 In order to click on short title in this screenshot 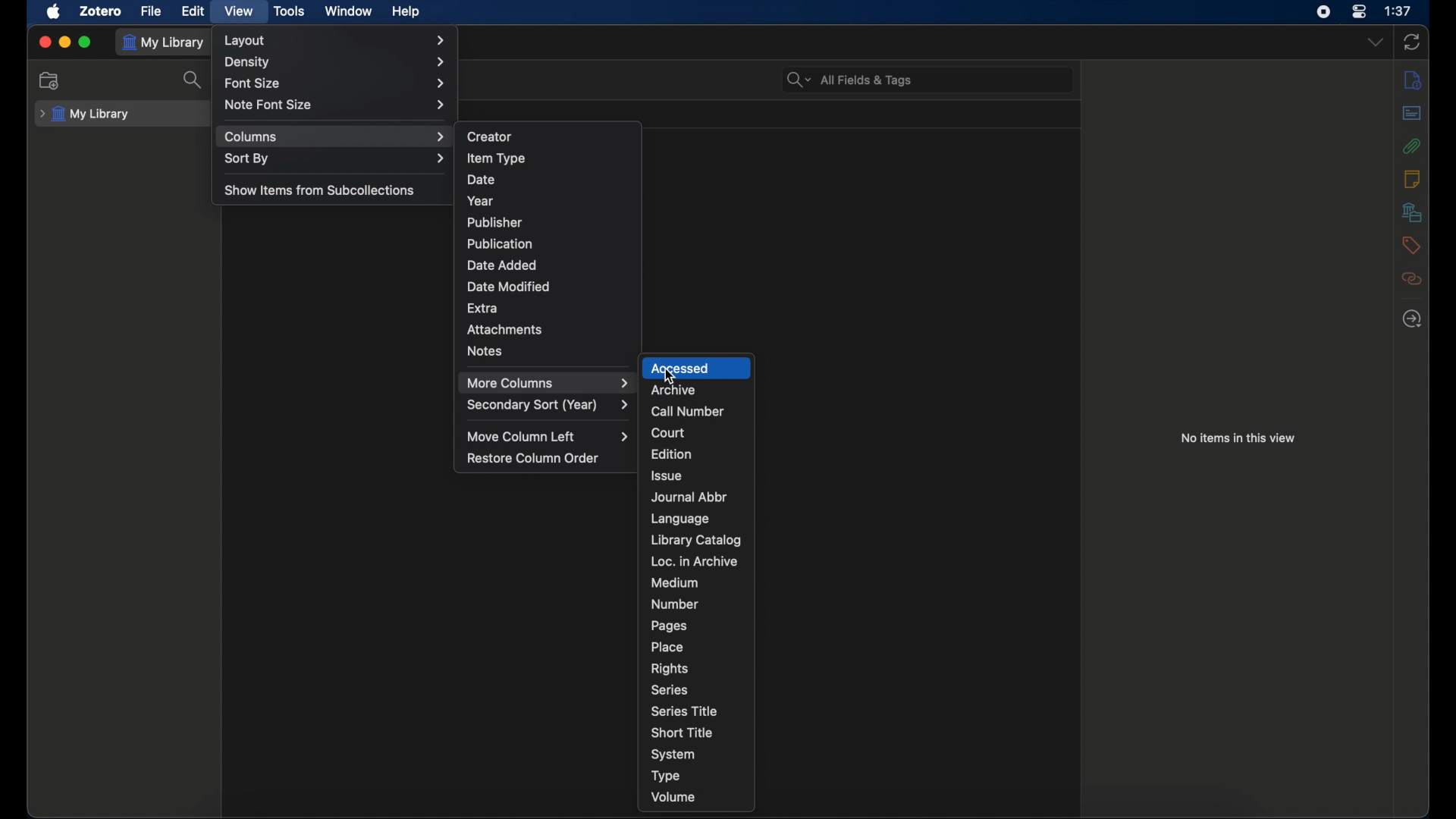, I will do `click(681, 733)`.